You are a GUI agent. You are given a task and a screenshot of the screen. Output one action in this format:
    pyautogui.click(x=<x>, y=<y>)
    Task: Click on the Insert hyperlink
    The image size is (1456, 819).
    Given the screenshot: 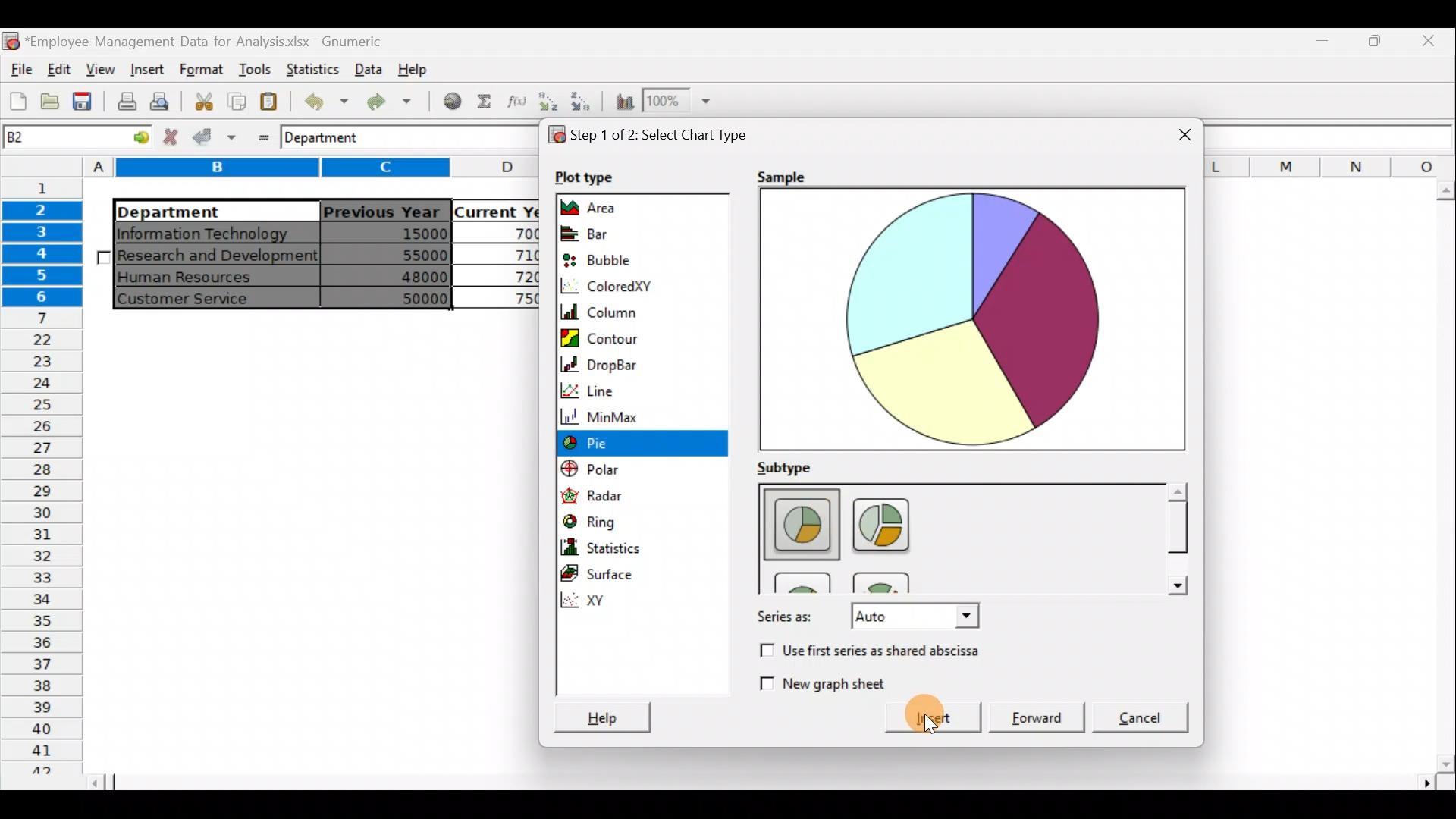 What is the action you would take?
    pyautogui.click(x=453, y=102)
    